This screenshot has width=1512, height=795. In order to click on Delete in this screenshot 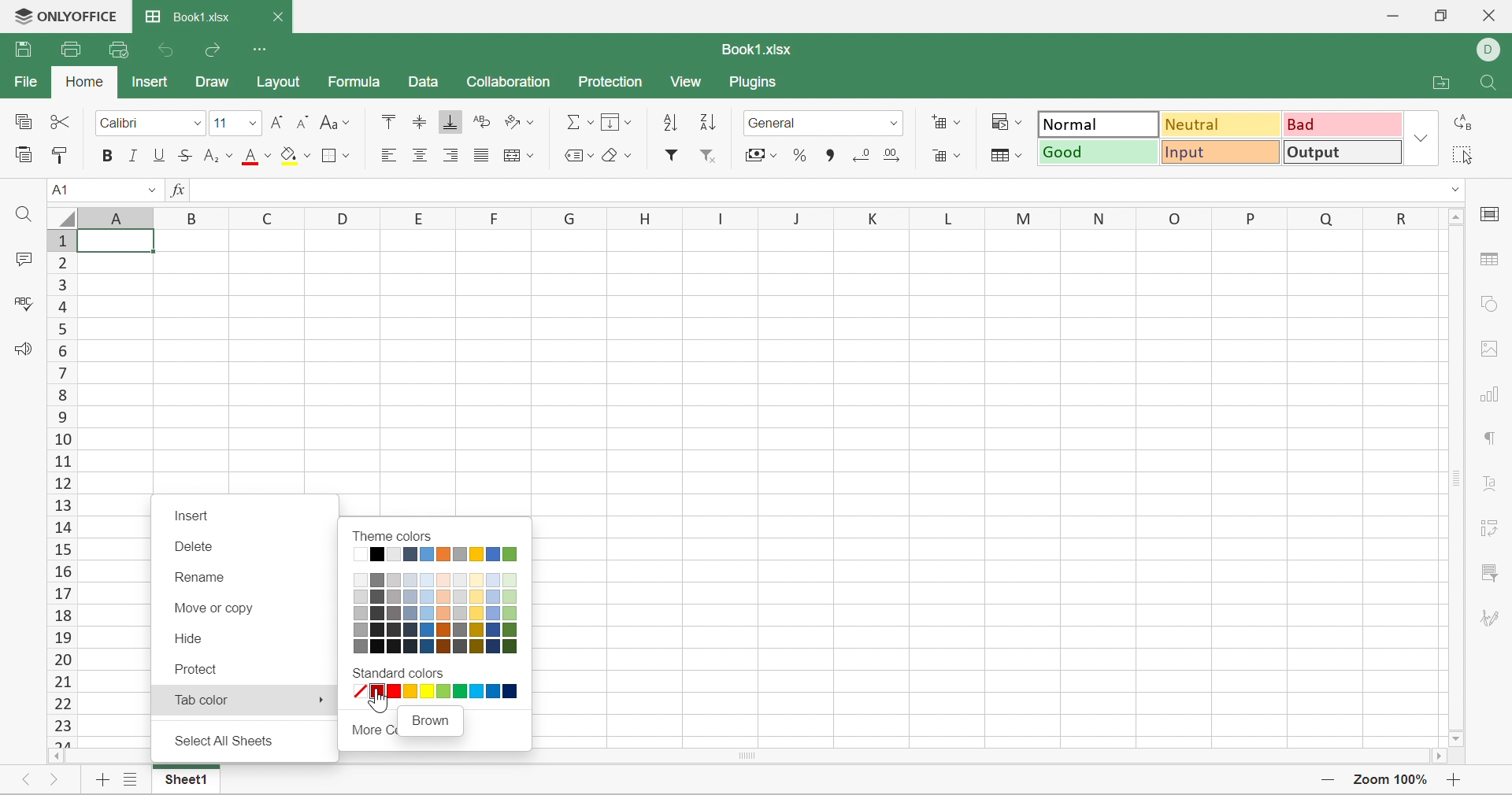, I will do `click(192, 551)`.